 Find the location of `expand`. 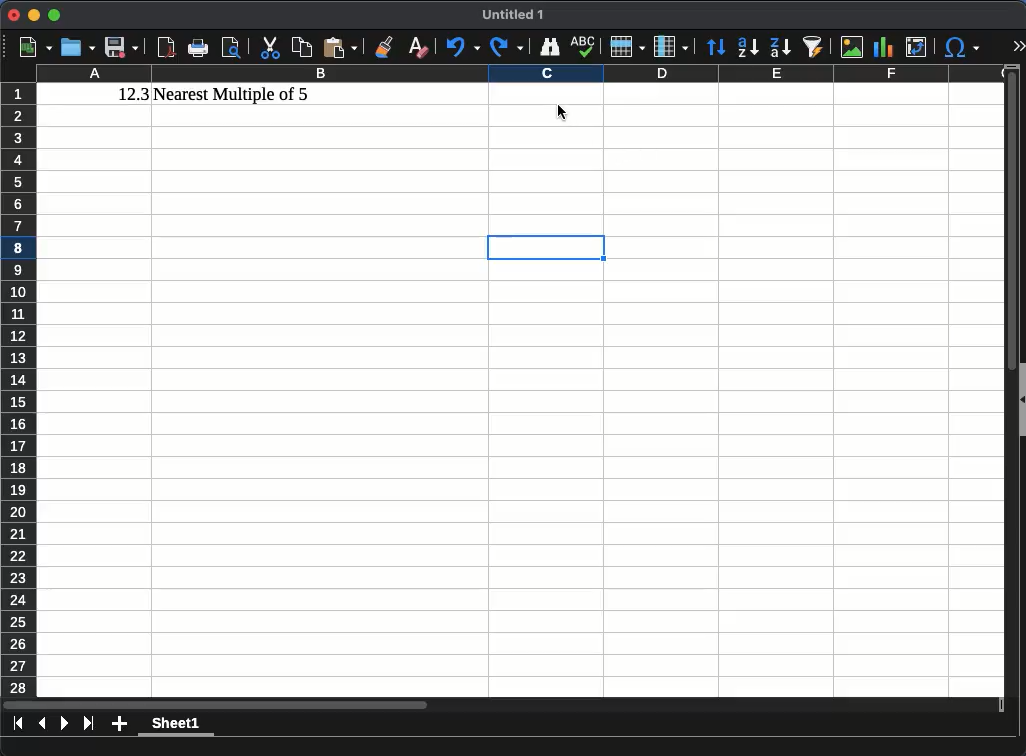

expand is located at coordinates (1018, 44).